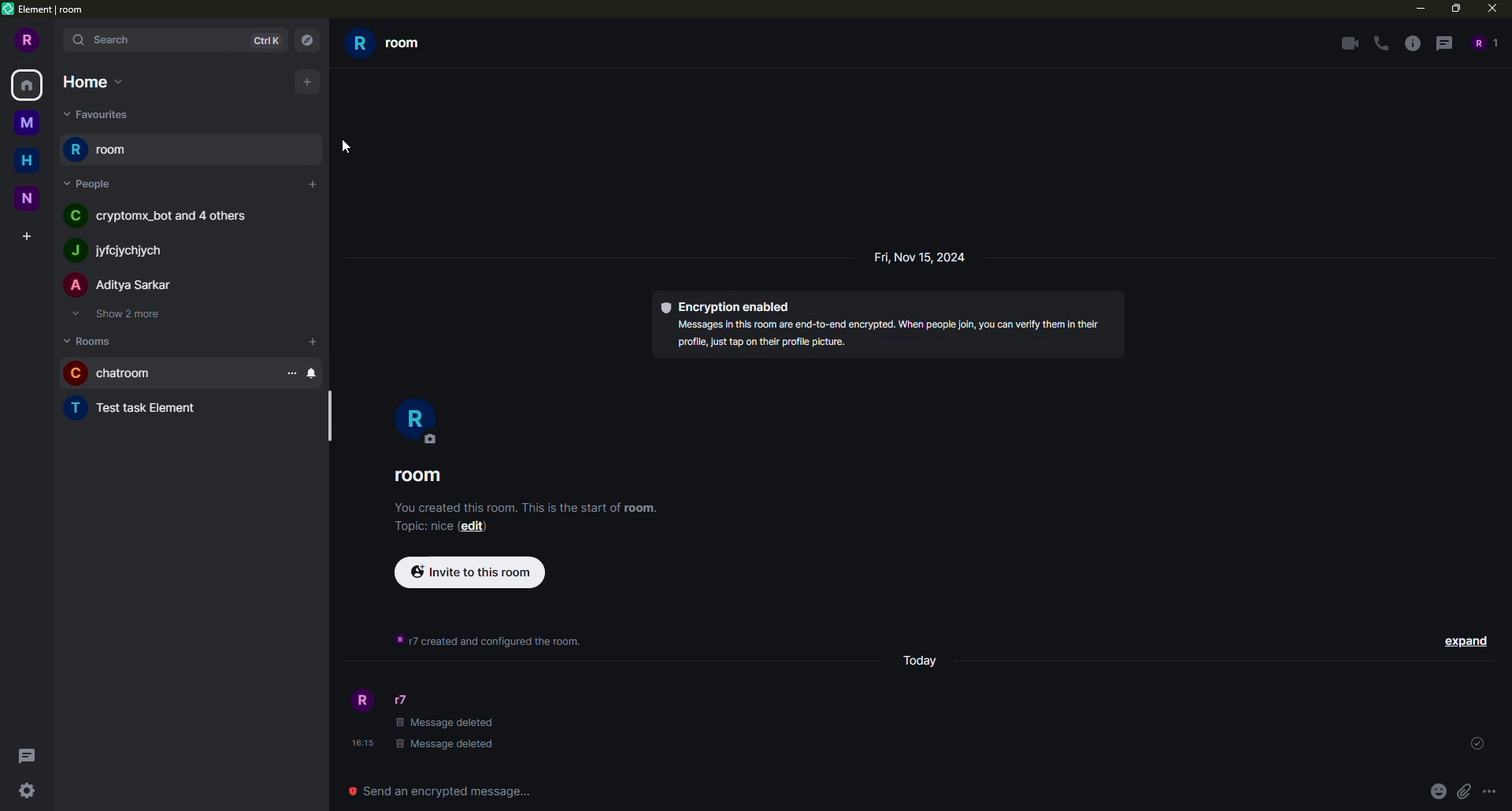 The height and width of the screenshot is (811, 1512). I want to click on room, so click(101, 148).